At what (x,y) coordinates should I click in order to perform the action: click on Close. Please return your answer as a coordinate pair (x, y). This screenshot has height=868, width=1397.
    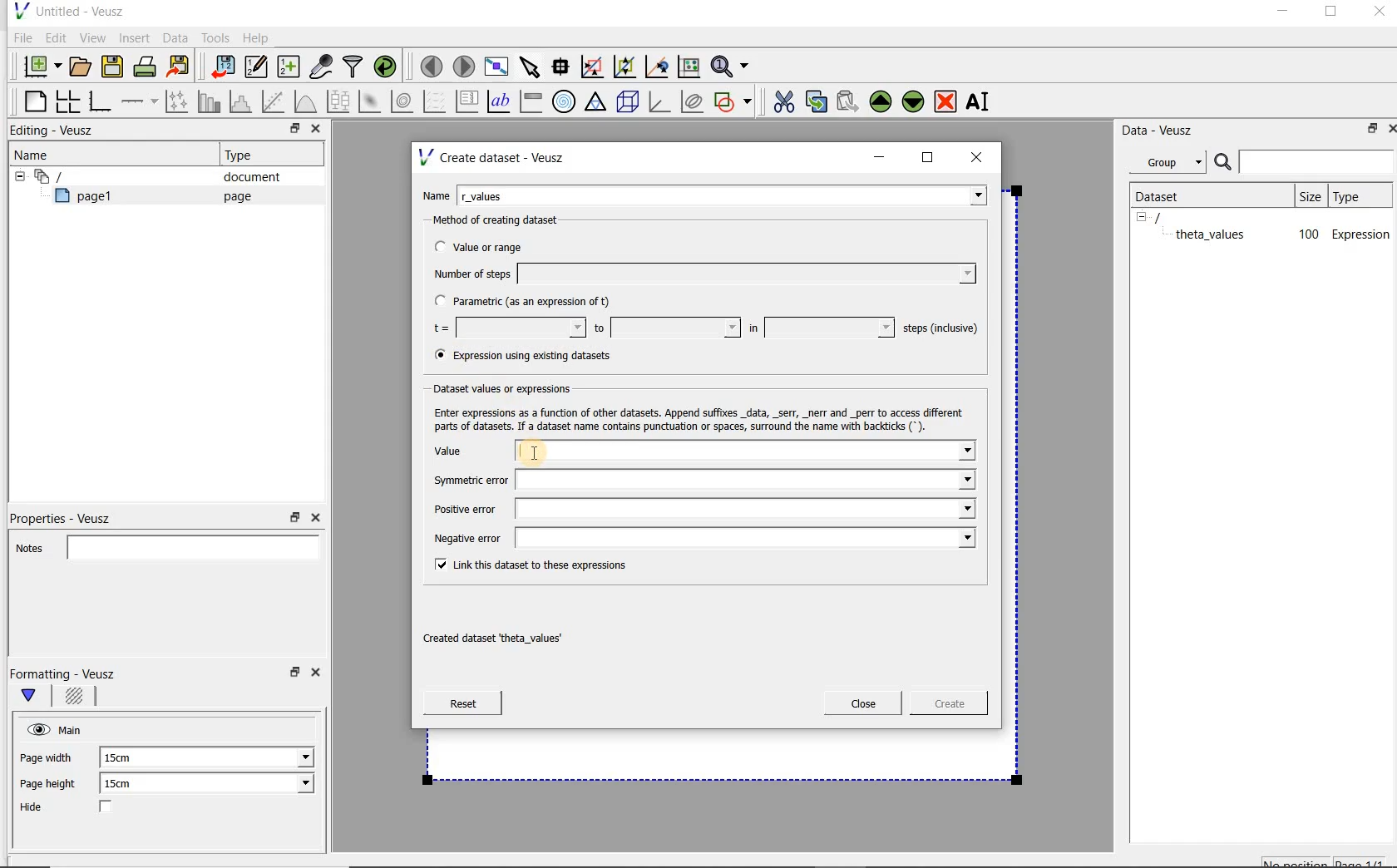
    Looking at the image, I should click on (863, 703).